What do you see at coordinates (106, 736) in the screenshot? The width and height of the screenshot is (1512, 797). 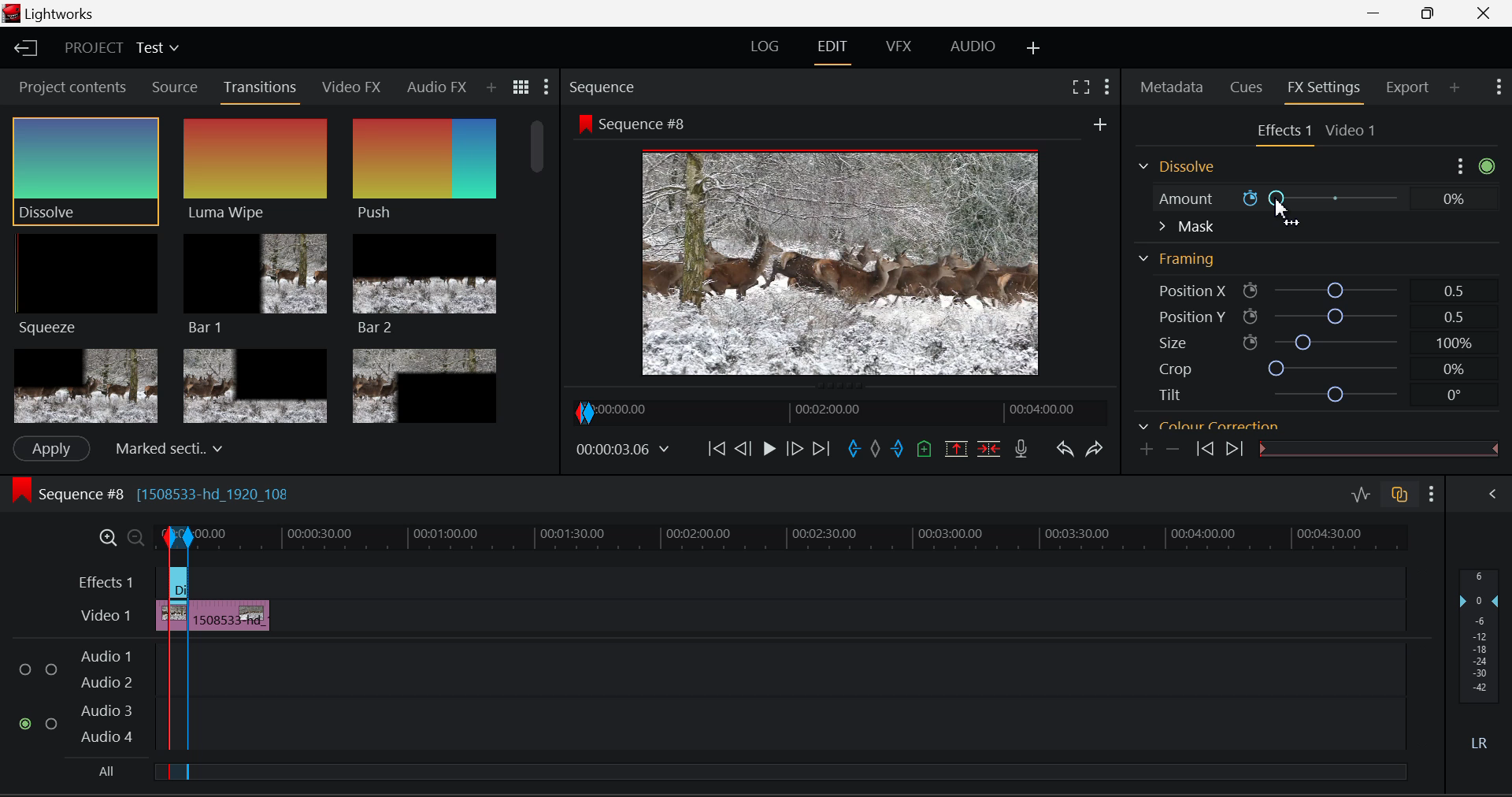 I see `Audio 4` at bounding box center [106, 736].